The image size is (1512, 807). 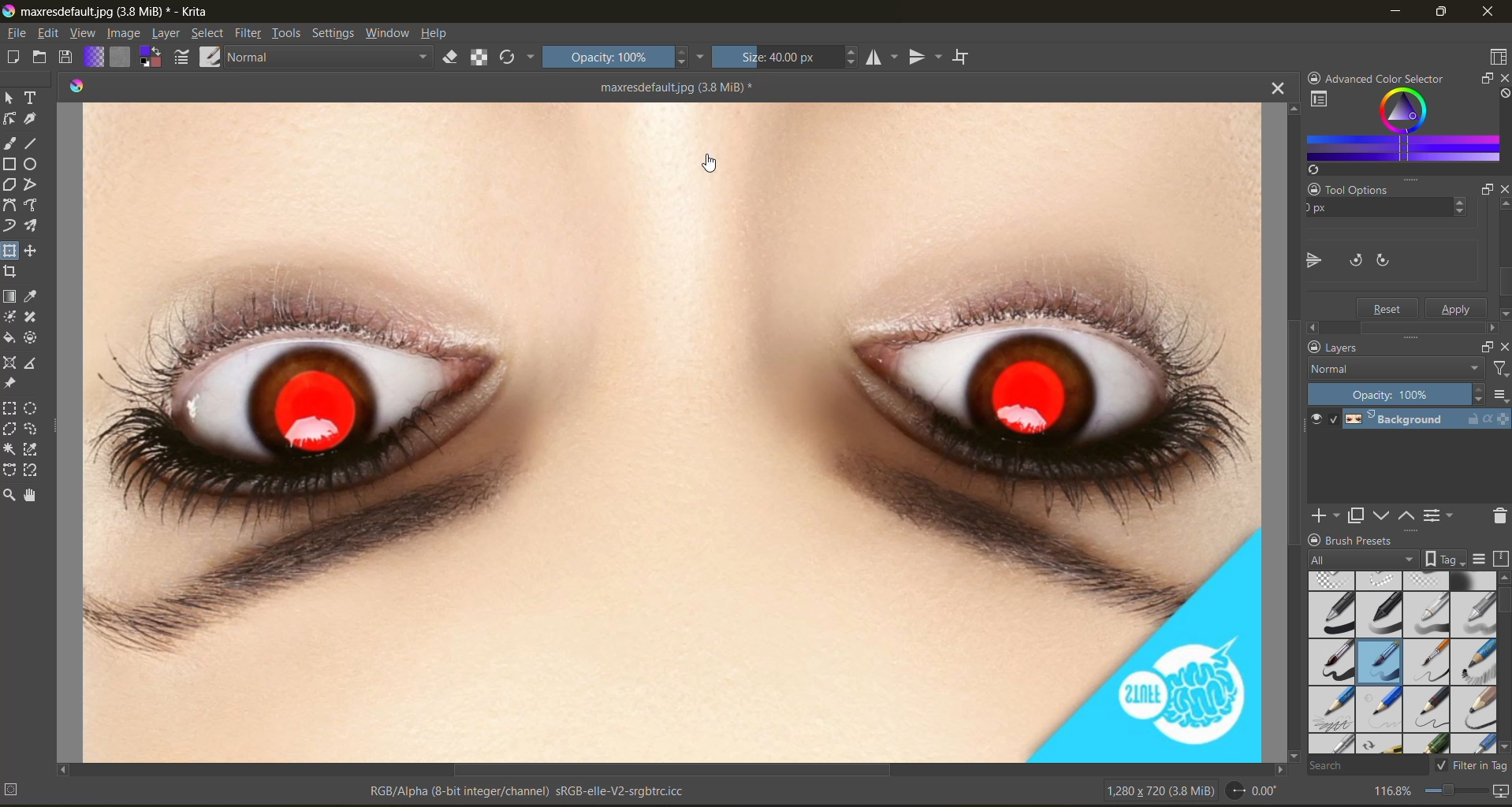 I want to click on tool, so click(x=35, y=449).